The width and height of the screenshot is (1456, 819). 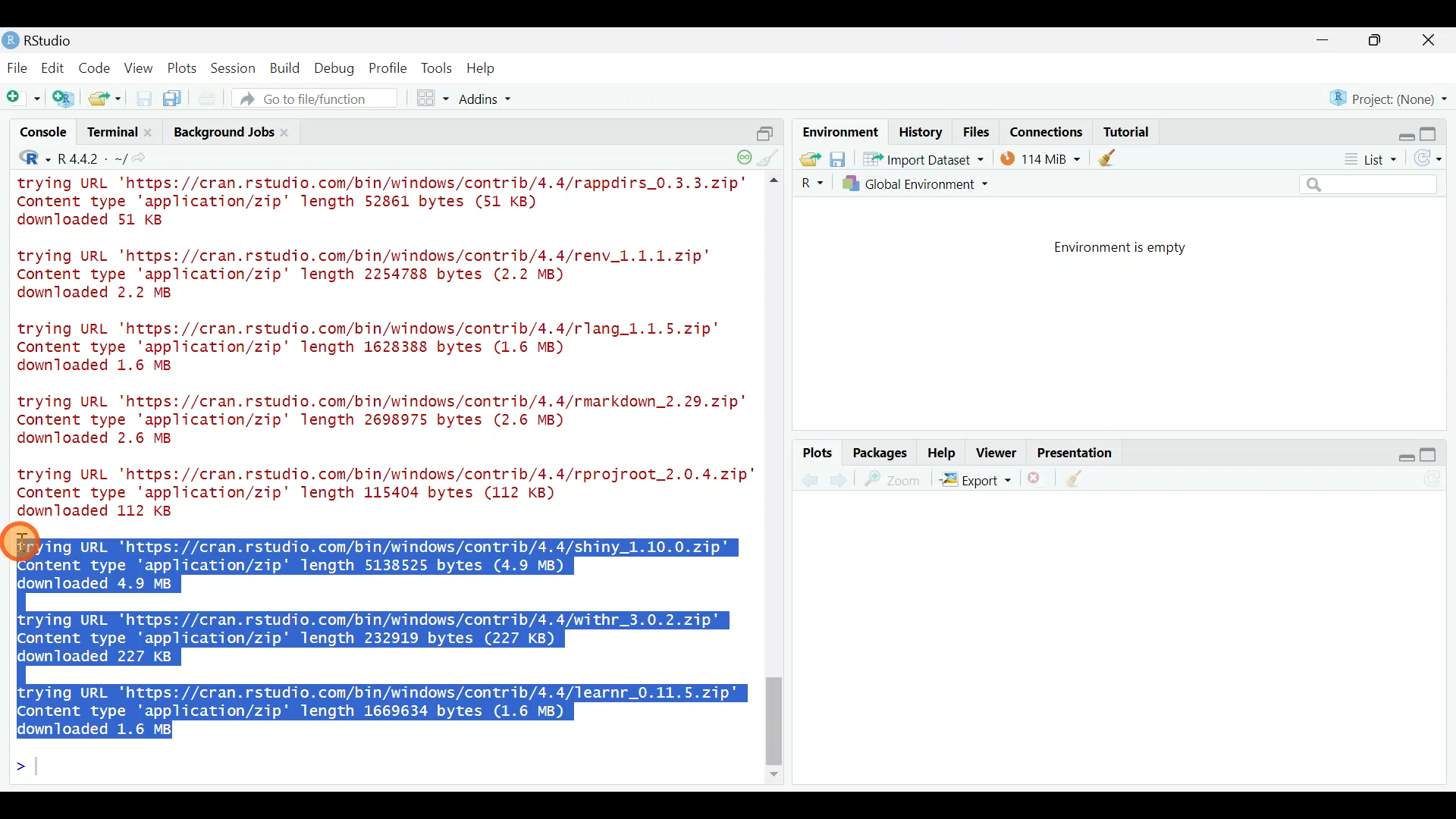 What do you see at coordinates (743, 152) in the screenshot?
I see `session suspend timeout paused - a child session is running` at bounding box center [743, 152].